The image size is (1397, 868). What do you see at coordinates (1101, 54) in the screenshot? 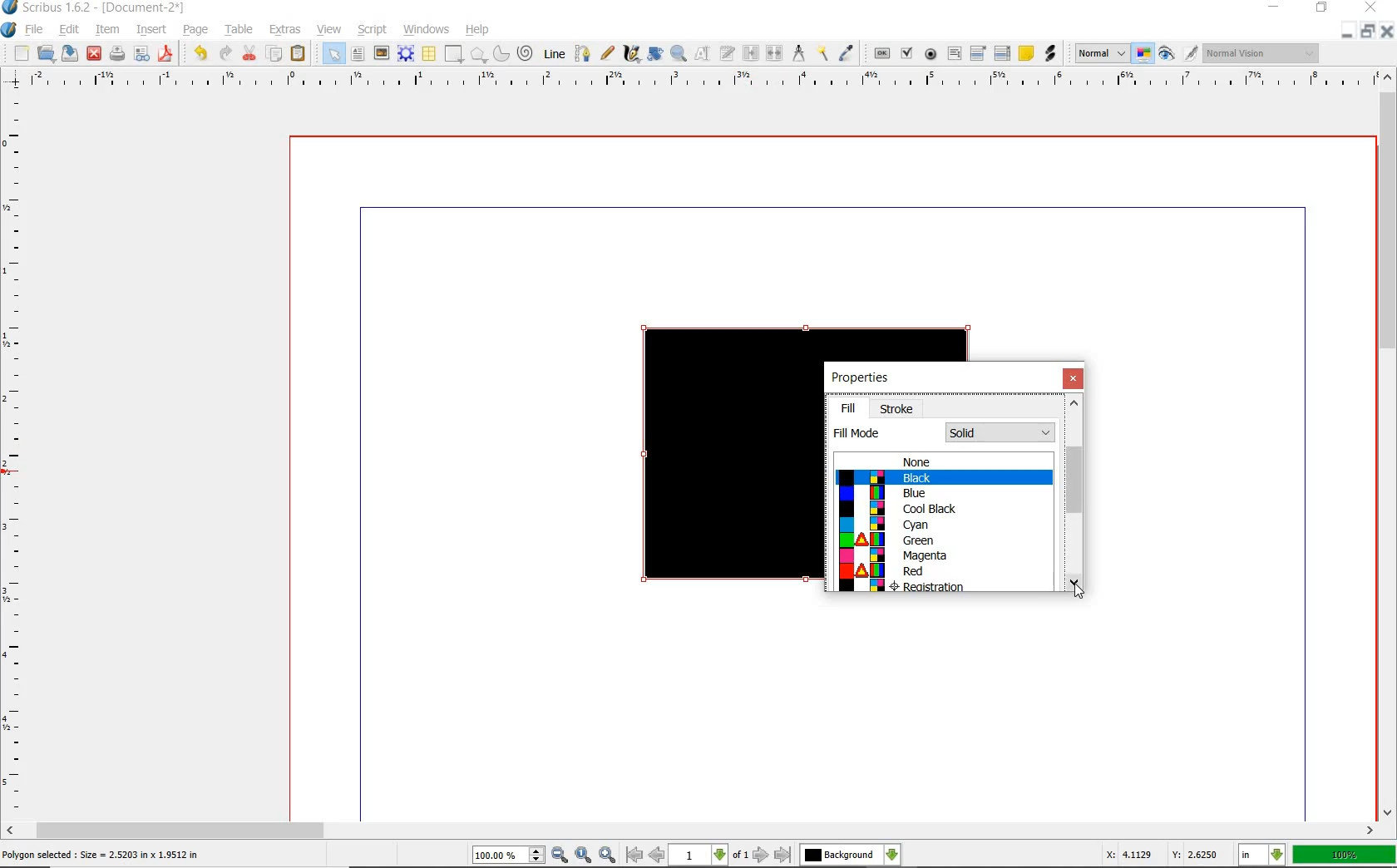
I see `image preview quality` at bounding box center [1101, 54].